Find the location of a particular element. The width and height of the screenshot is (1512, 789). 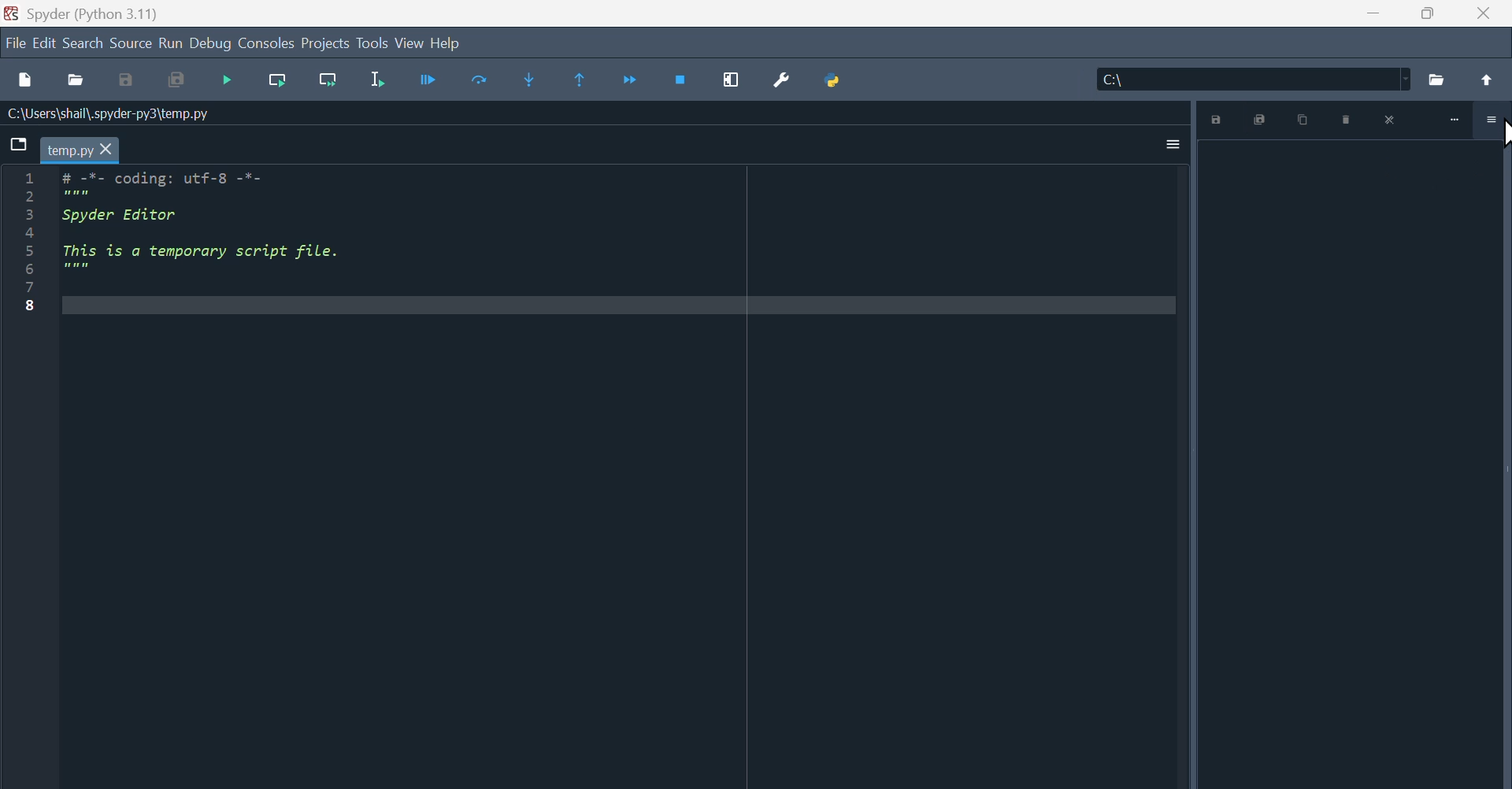

Debug is located at coordinates (213, 45).